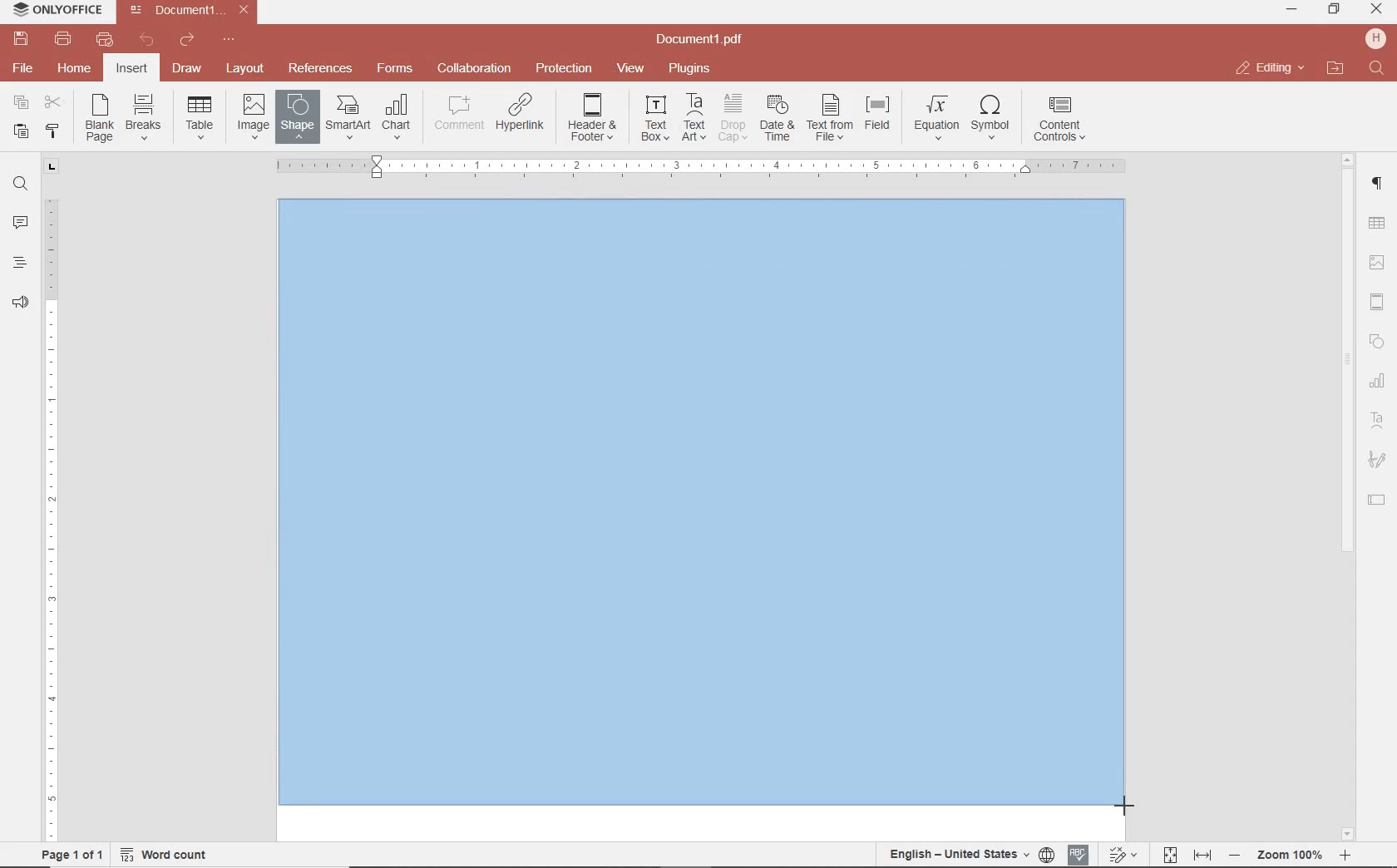  I want to click on insert, so click(131, 70).